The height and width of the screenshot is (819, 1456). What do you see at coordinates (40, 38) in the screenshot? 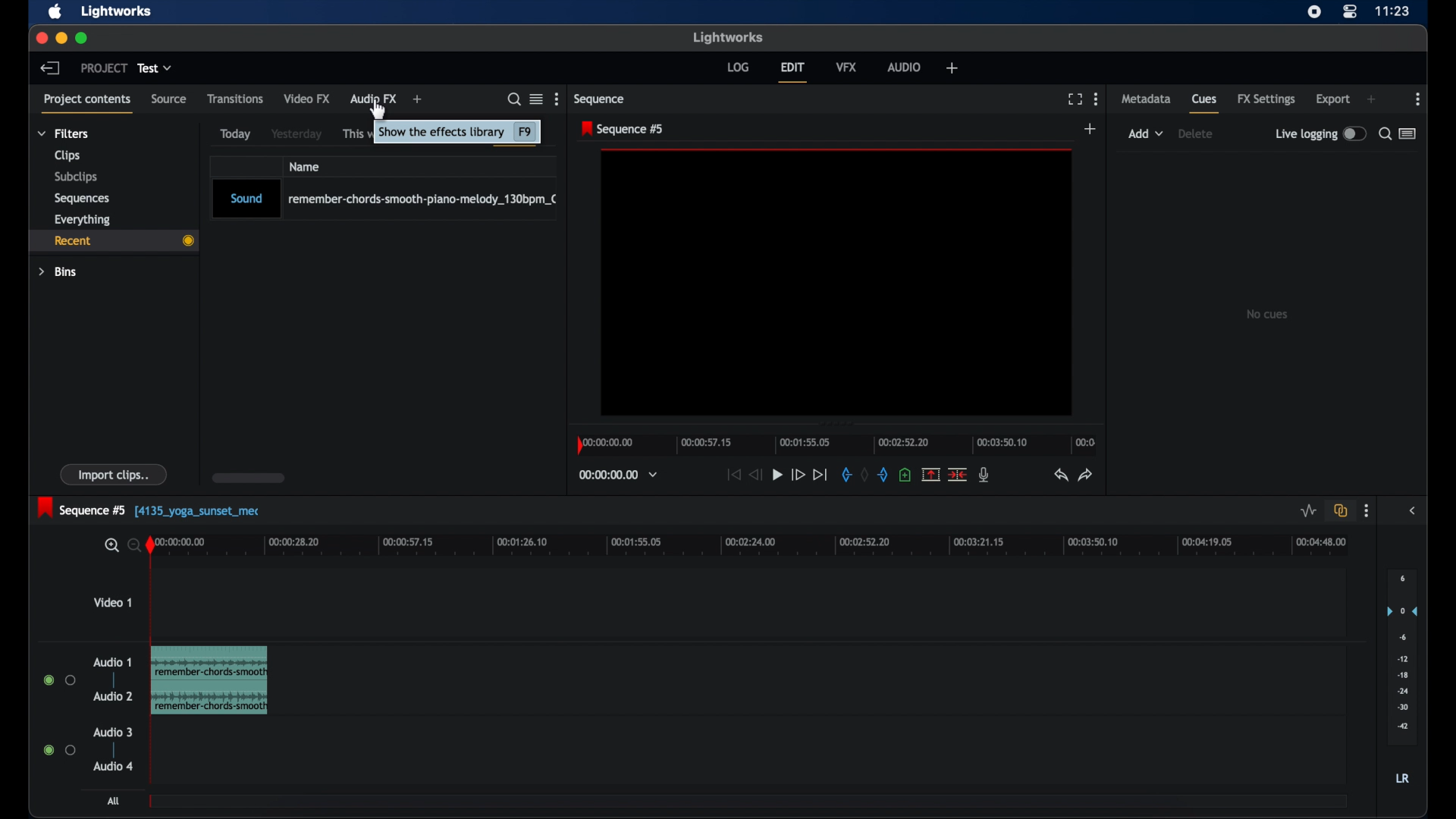
I see `close` at bounding box center [40, 38].